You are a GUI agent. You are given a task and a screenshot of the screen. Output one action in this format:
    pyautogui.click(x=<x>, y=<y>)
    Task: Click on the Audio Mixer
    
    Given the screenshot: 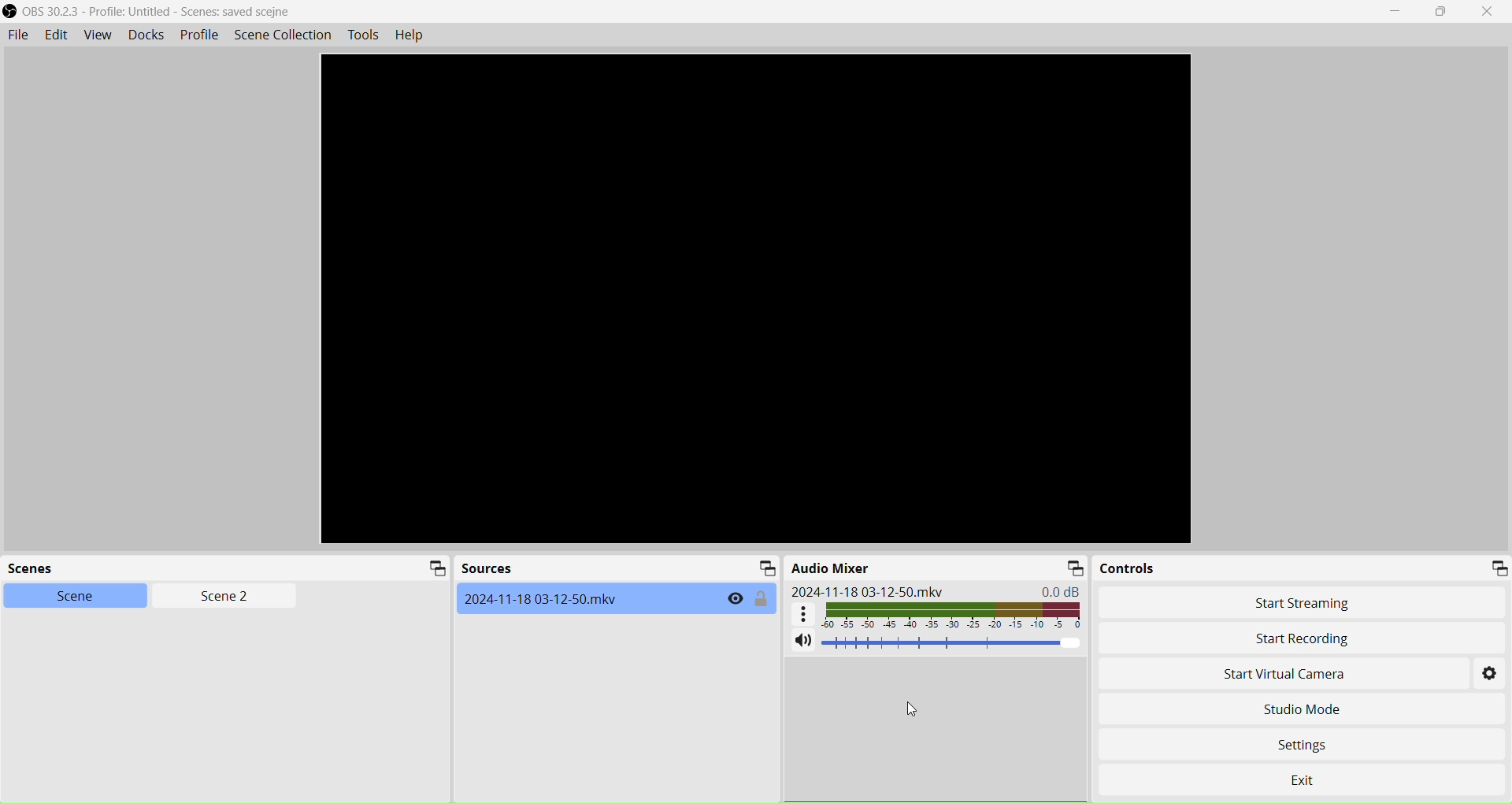 What is the action you would take?
    pyautogui.click(x=832, y=568)
    